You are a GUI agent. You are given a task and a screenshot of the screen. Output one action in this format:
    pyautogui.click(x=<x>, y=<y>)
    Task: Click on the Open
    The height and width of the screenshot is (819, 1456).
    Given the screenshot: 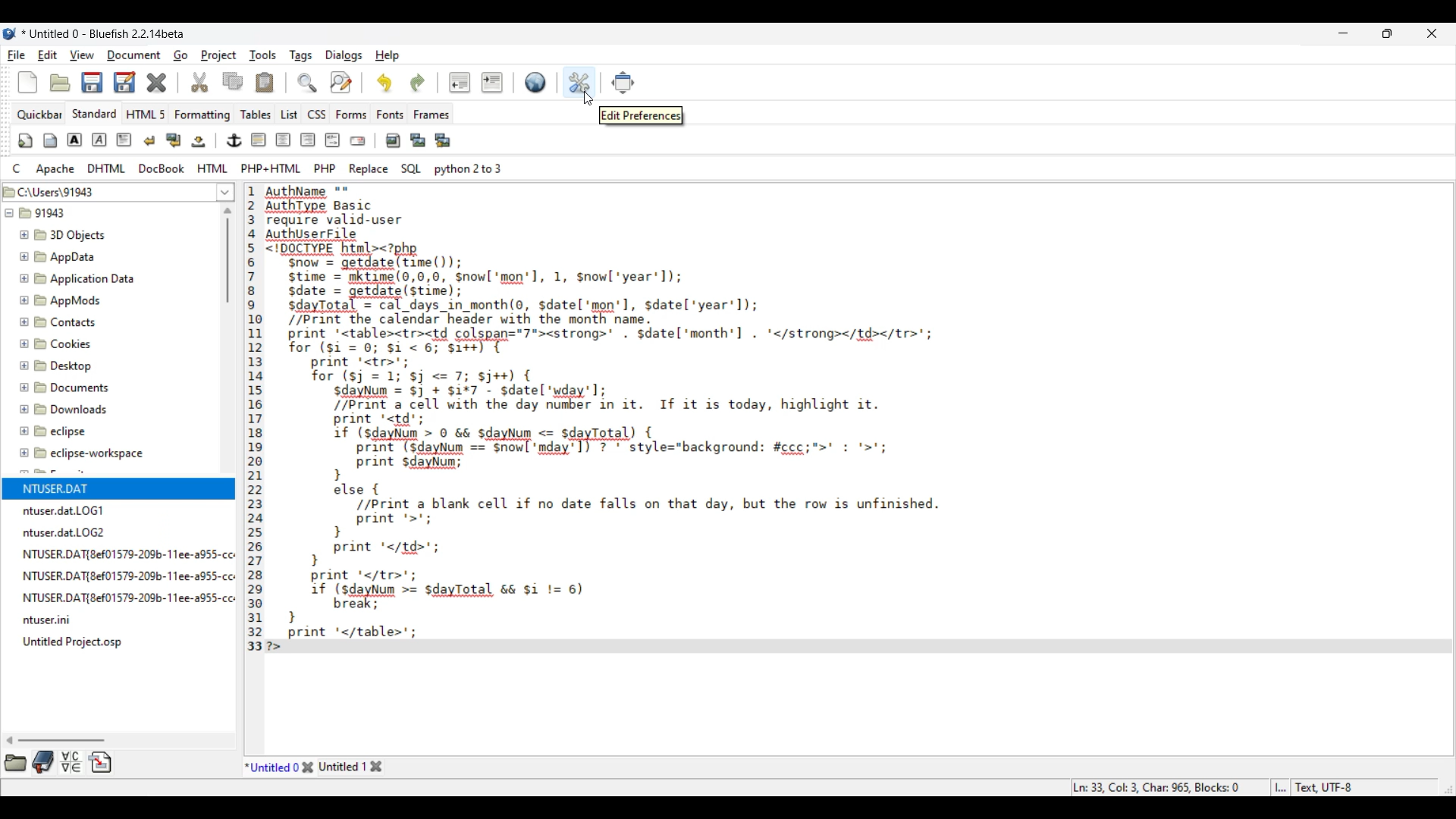 What is the action you would take?
    pyautogui.click(x=61, y=83)
    